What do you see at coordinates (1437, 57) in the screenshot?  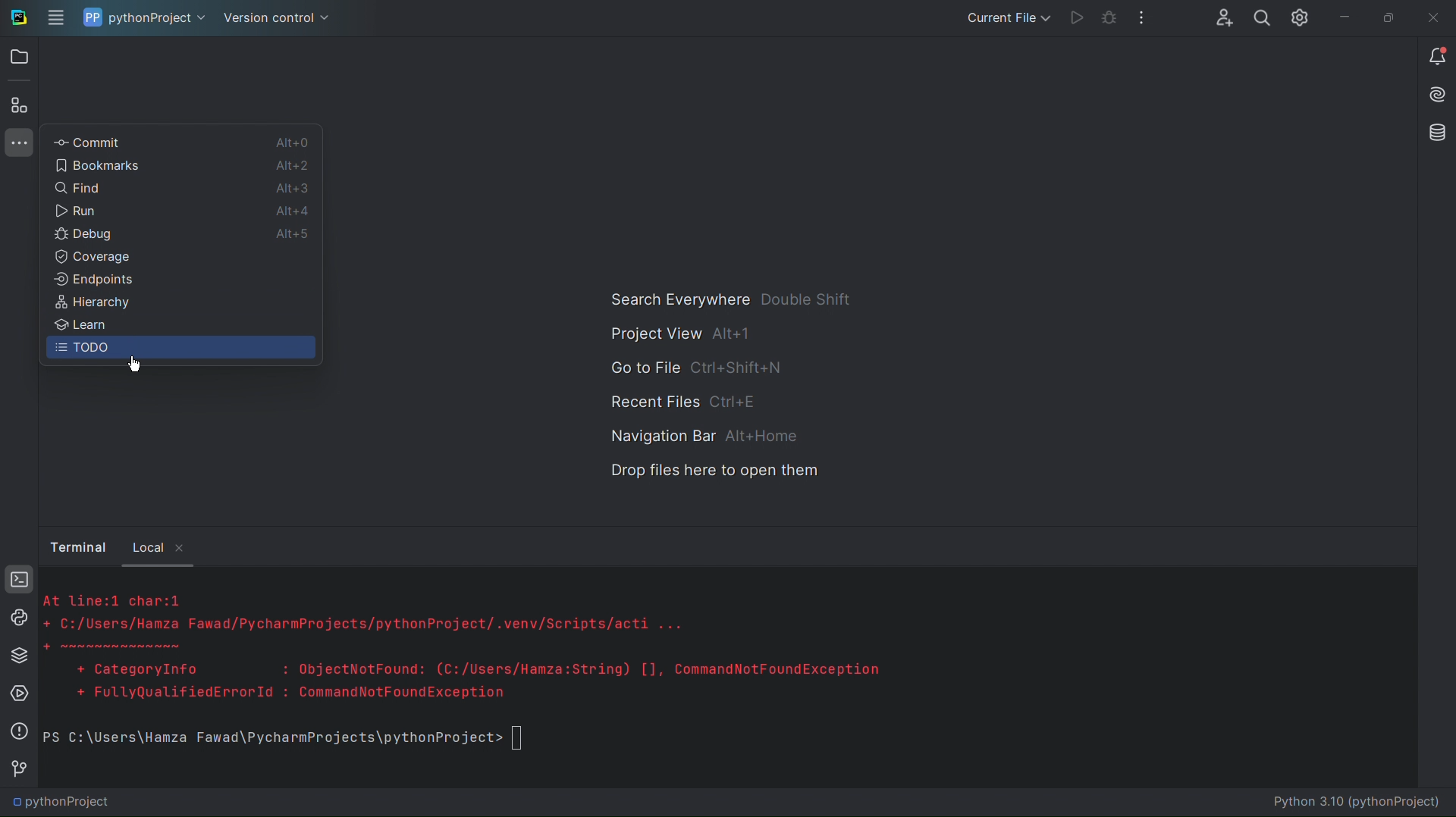 I see `Notifications` at bounding box center [1437, 57].